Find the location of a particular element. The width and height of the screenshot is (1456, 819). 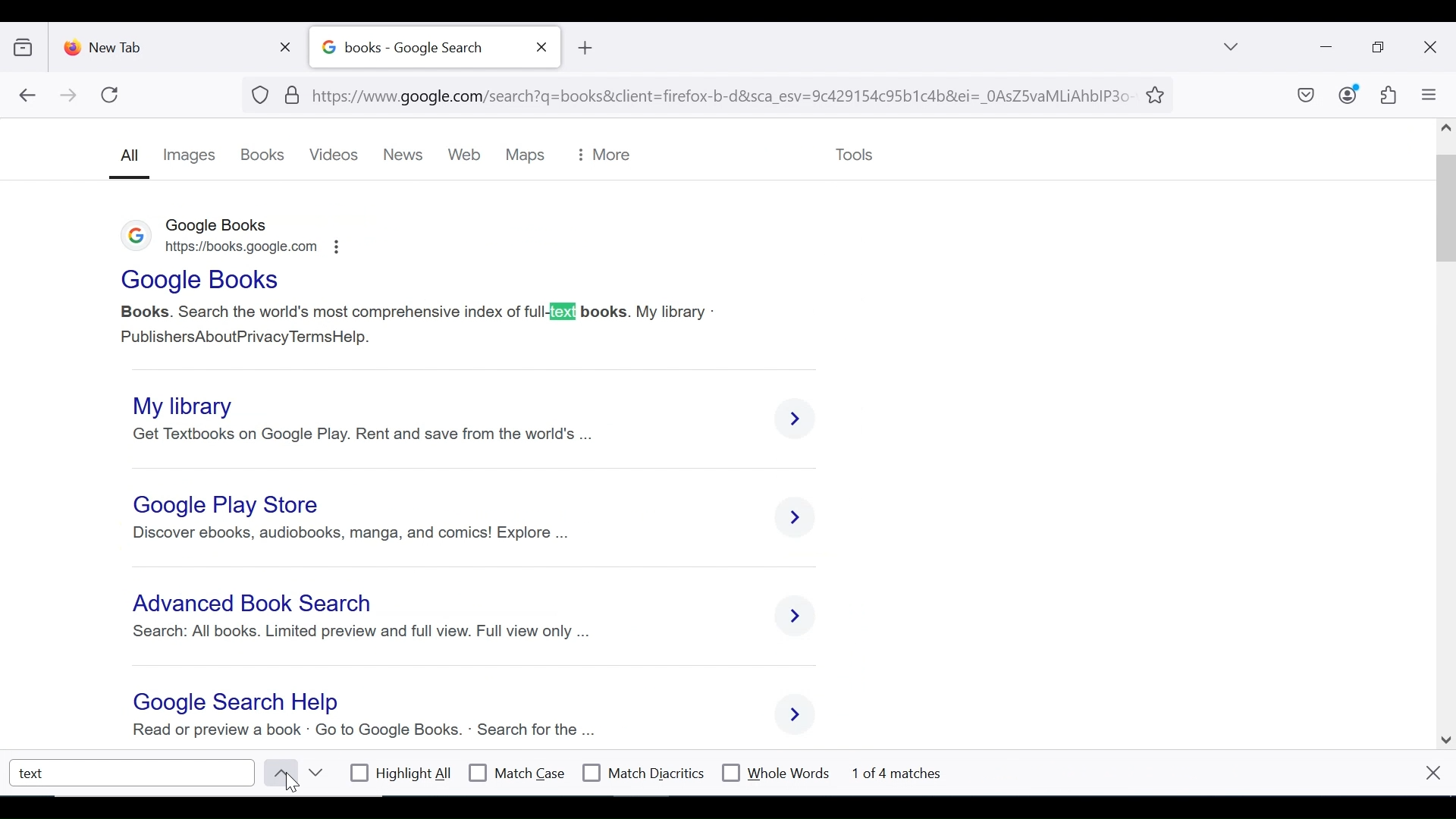

mouse pointer is located at coordinates (297, 785).